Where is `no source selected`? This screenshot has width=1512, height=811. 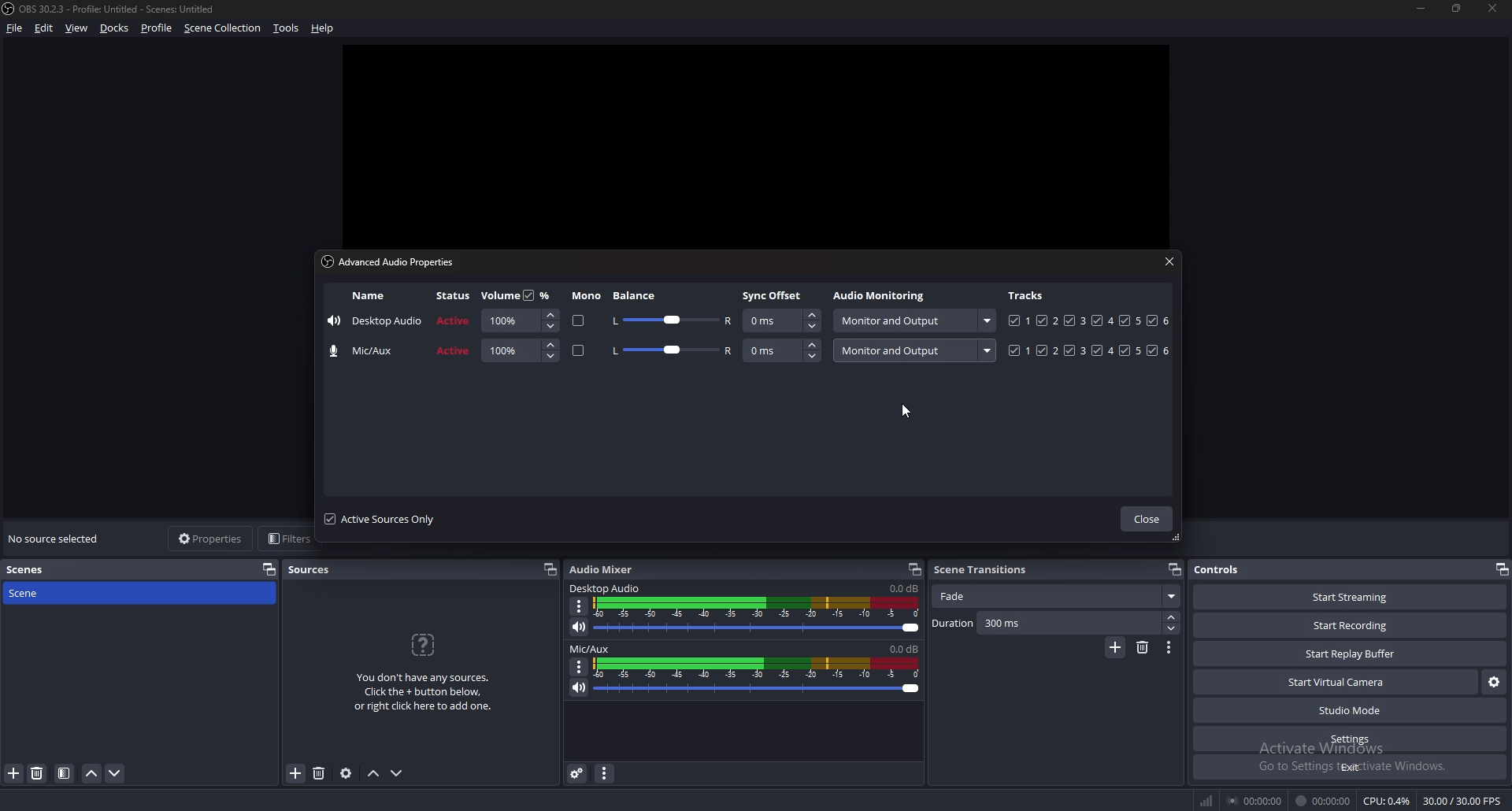
no source selected is located at coordinates (57, 538).